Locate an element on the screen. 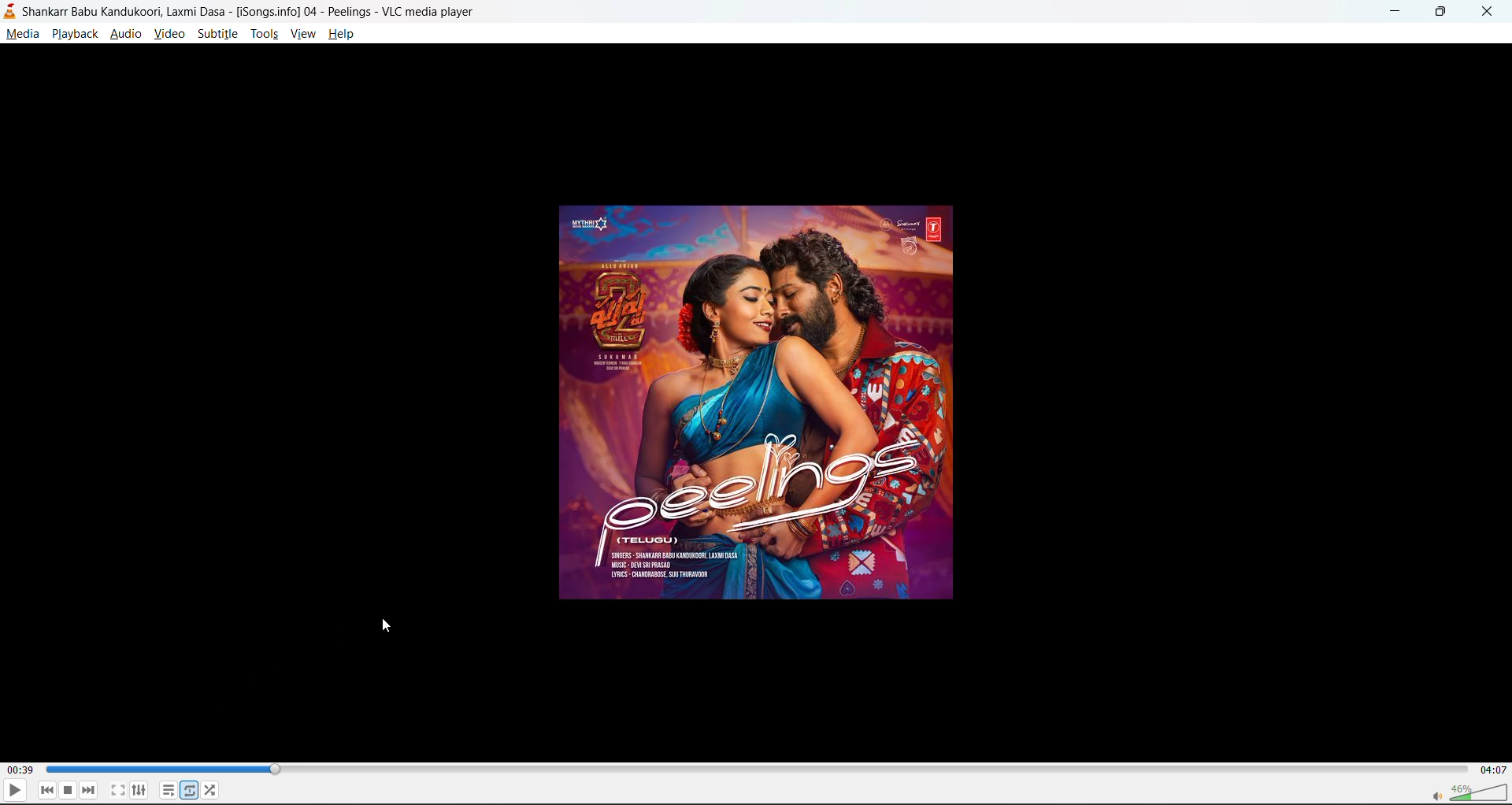  00:39 is located at coordinates (20, 770).